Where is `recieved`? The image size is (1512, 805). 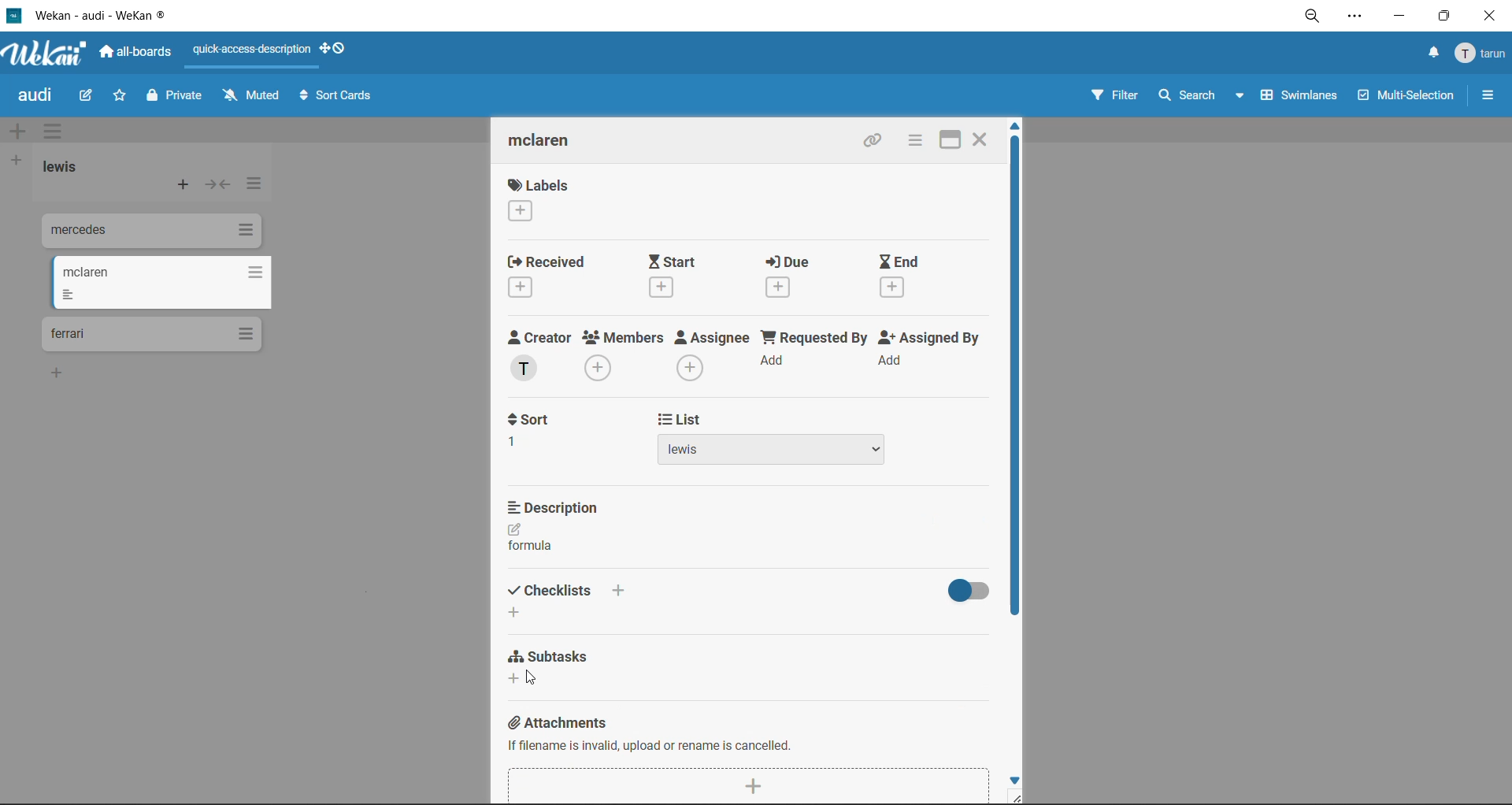
recieved is located at coordinates (552, 276).